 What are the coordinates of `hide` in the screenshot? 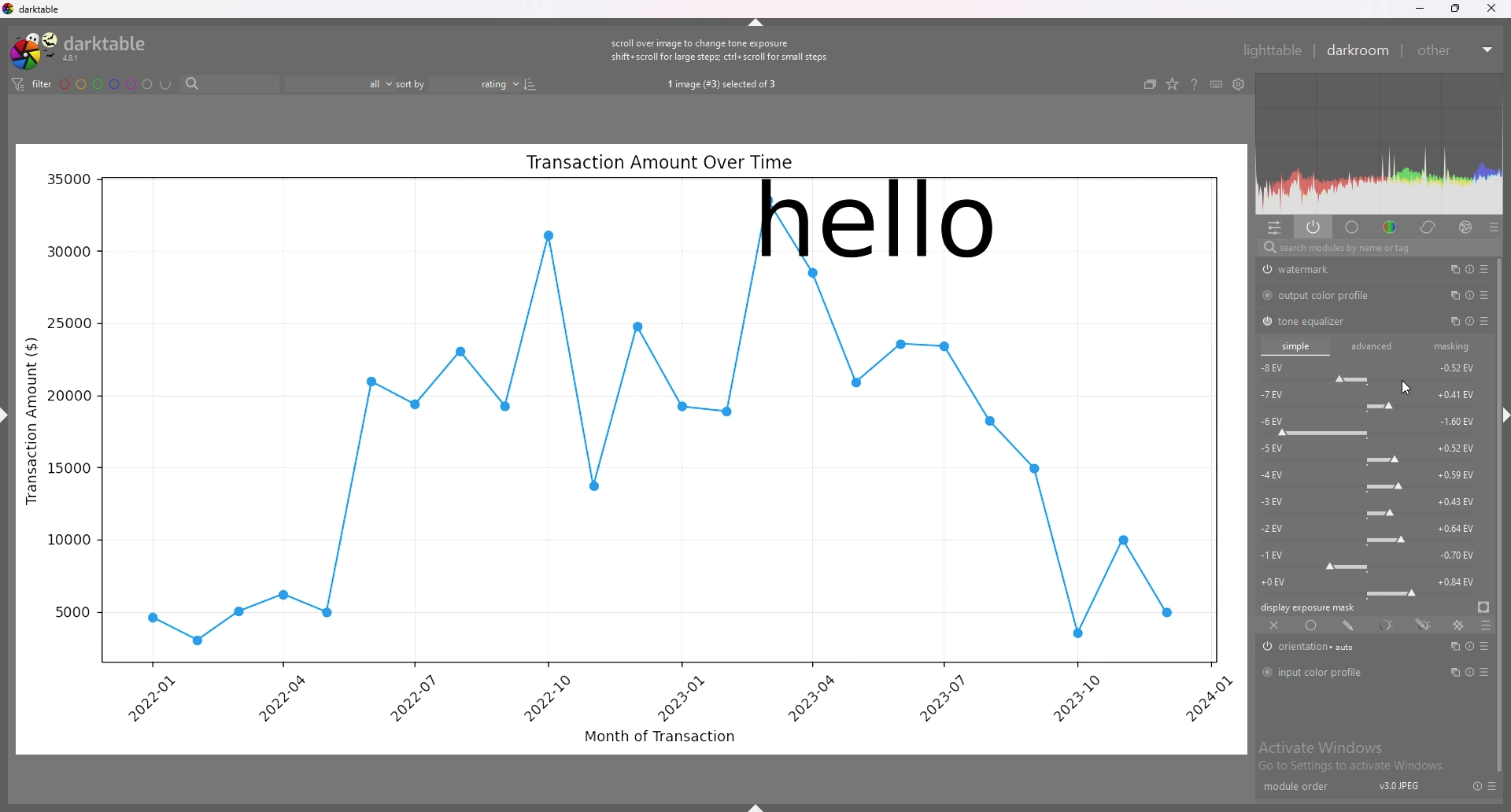 It's located at (757, 20).